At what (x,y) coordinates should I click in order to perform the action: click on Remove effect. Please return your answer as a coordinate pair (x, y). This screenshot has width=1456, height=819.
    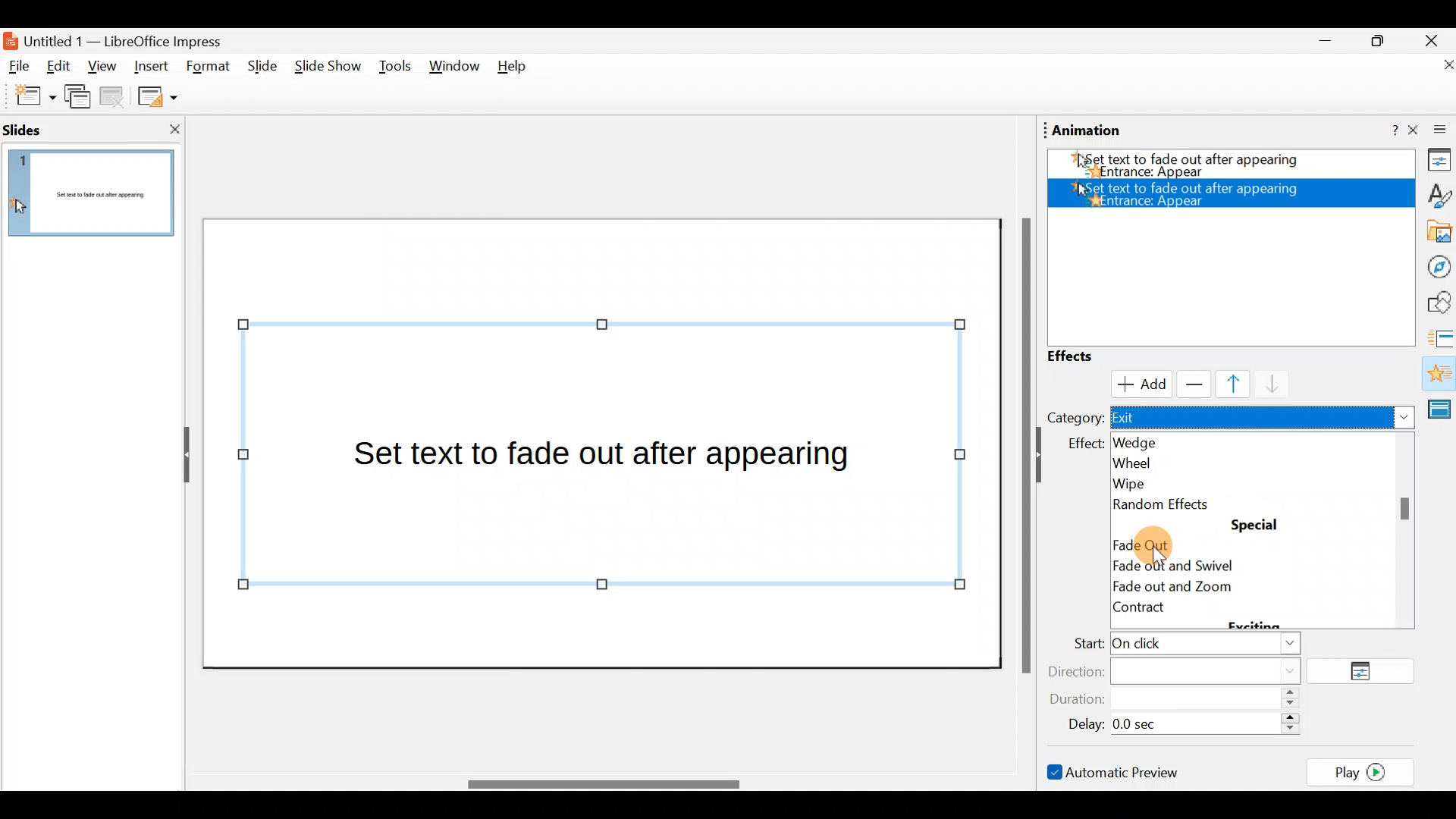
    Looking at the image, I should click on (1191, 384).